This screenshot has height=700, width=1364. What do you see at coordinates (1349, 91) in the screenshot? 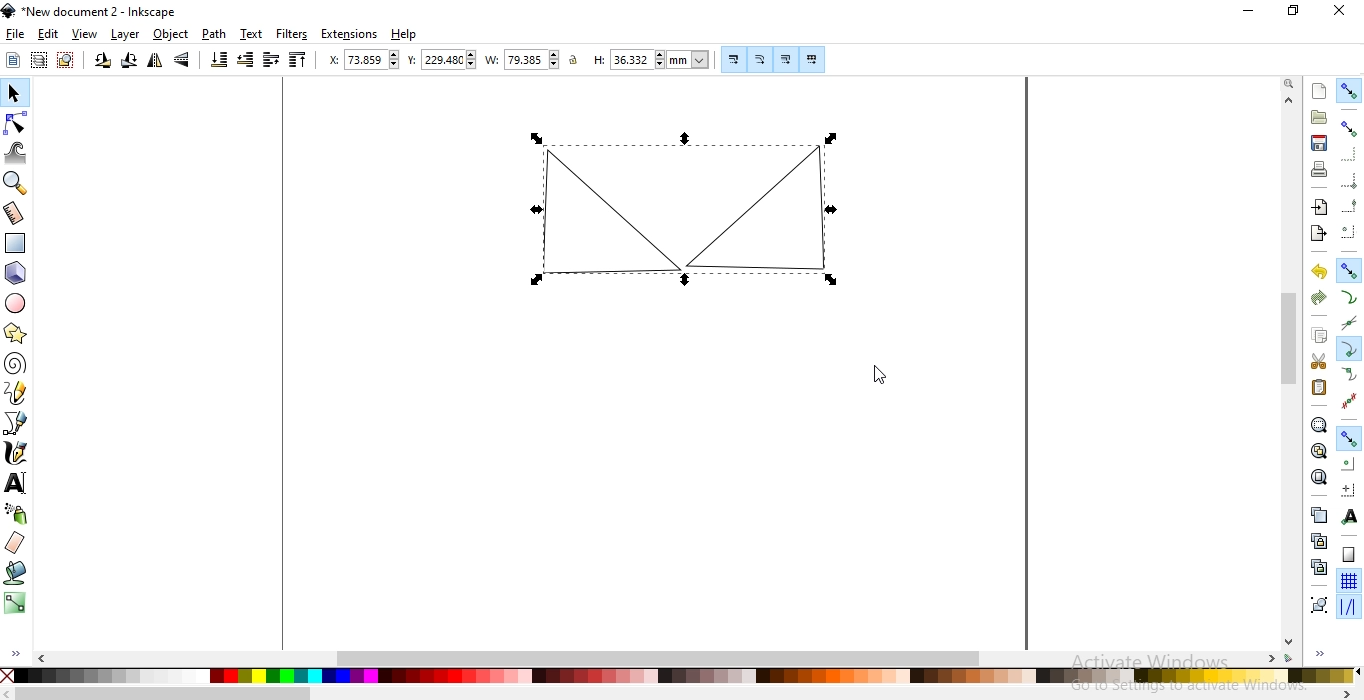
I see `enable snapping` at bounding box center [1349, 91].